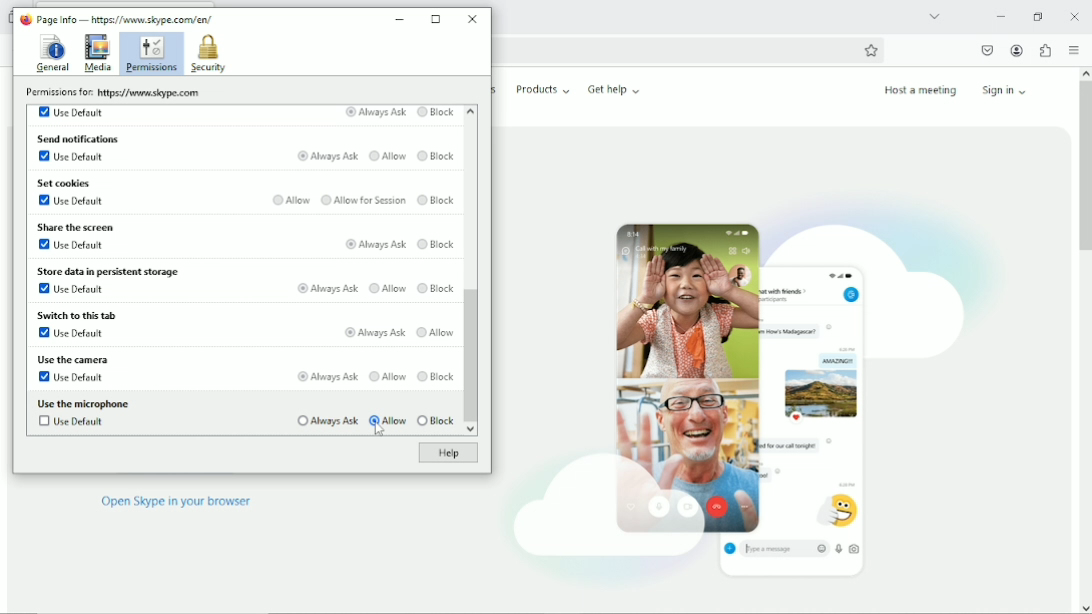 Image resolution: width=1092 pixels, height=614 pixels. I want to click on Security, so click(208, 54).